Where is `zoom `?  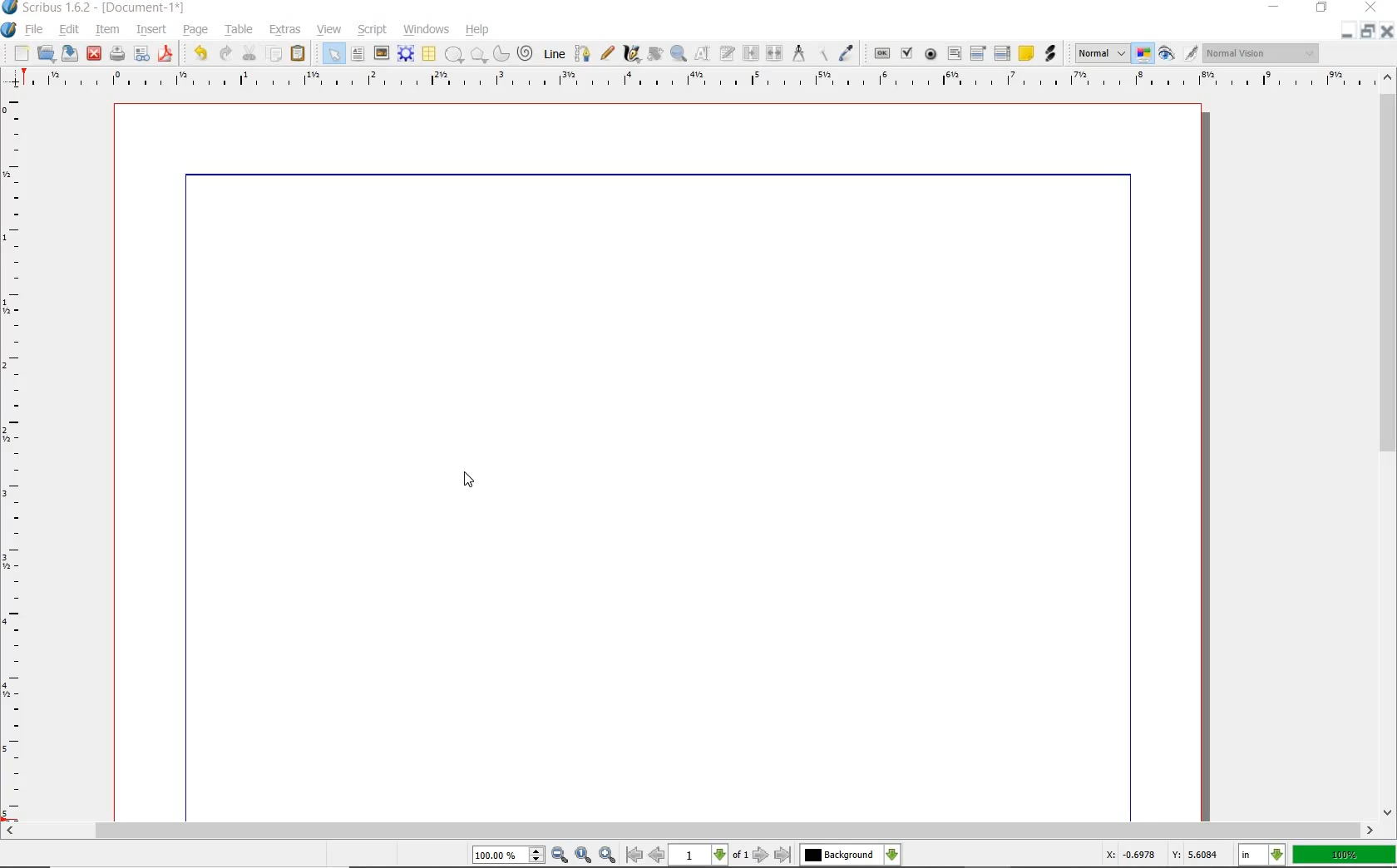
zoom  is located at coordinates (510, 856).